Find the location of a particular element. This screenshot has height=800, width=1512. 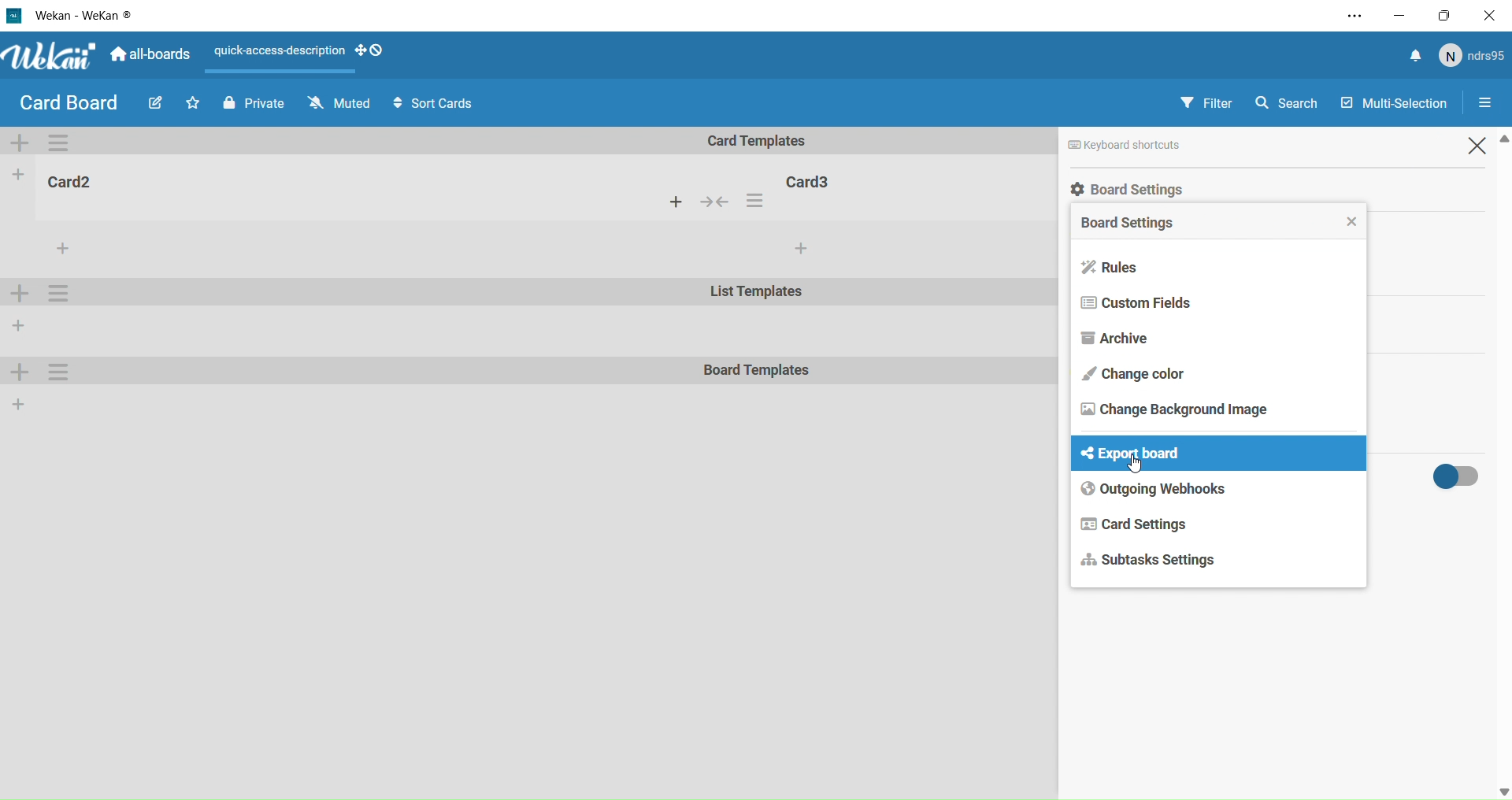

 is located at coordinates (17, 291).